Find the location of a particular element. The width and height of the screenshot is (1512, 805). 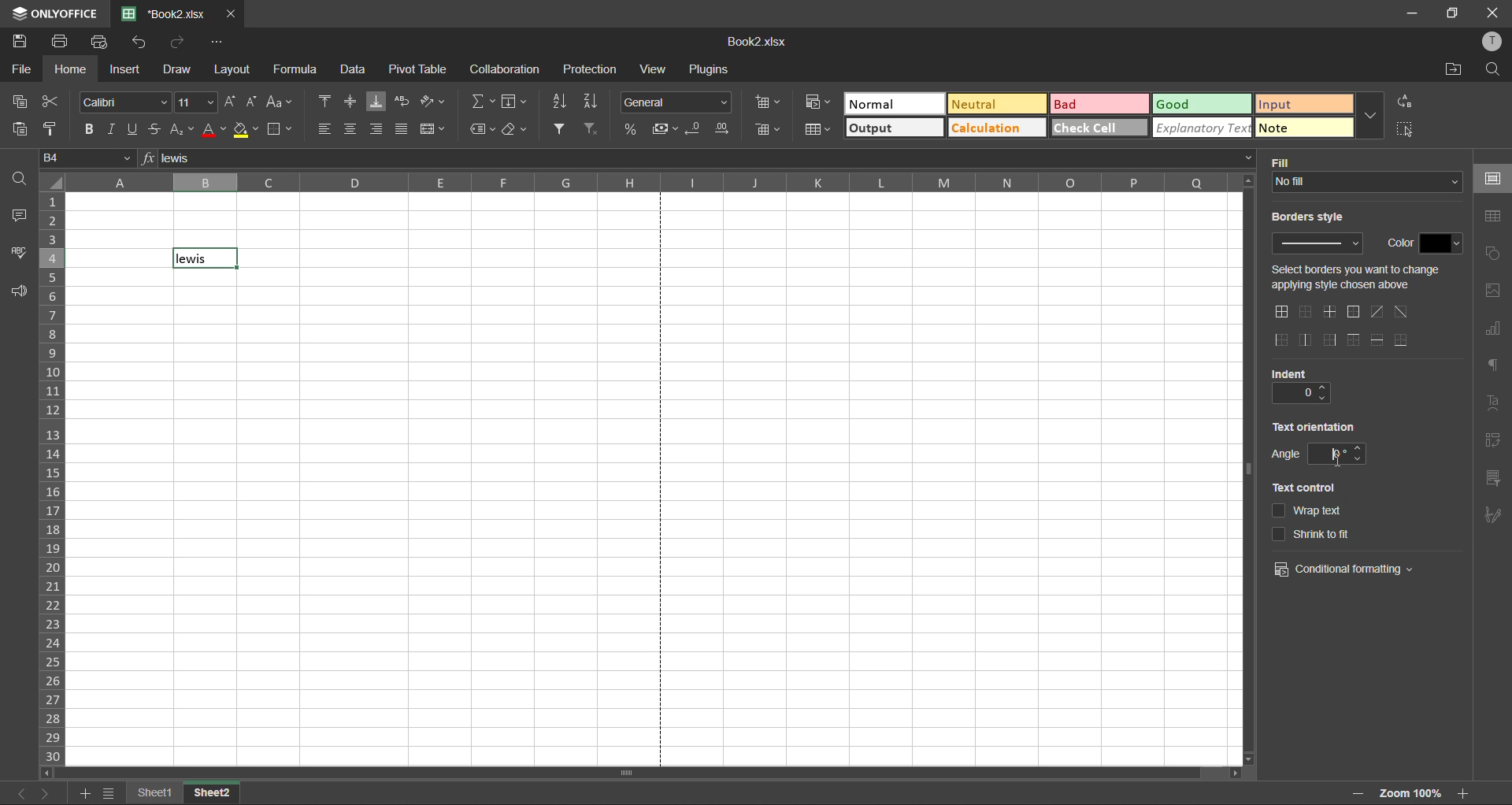

move down is located at coordinates (1246, 759).